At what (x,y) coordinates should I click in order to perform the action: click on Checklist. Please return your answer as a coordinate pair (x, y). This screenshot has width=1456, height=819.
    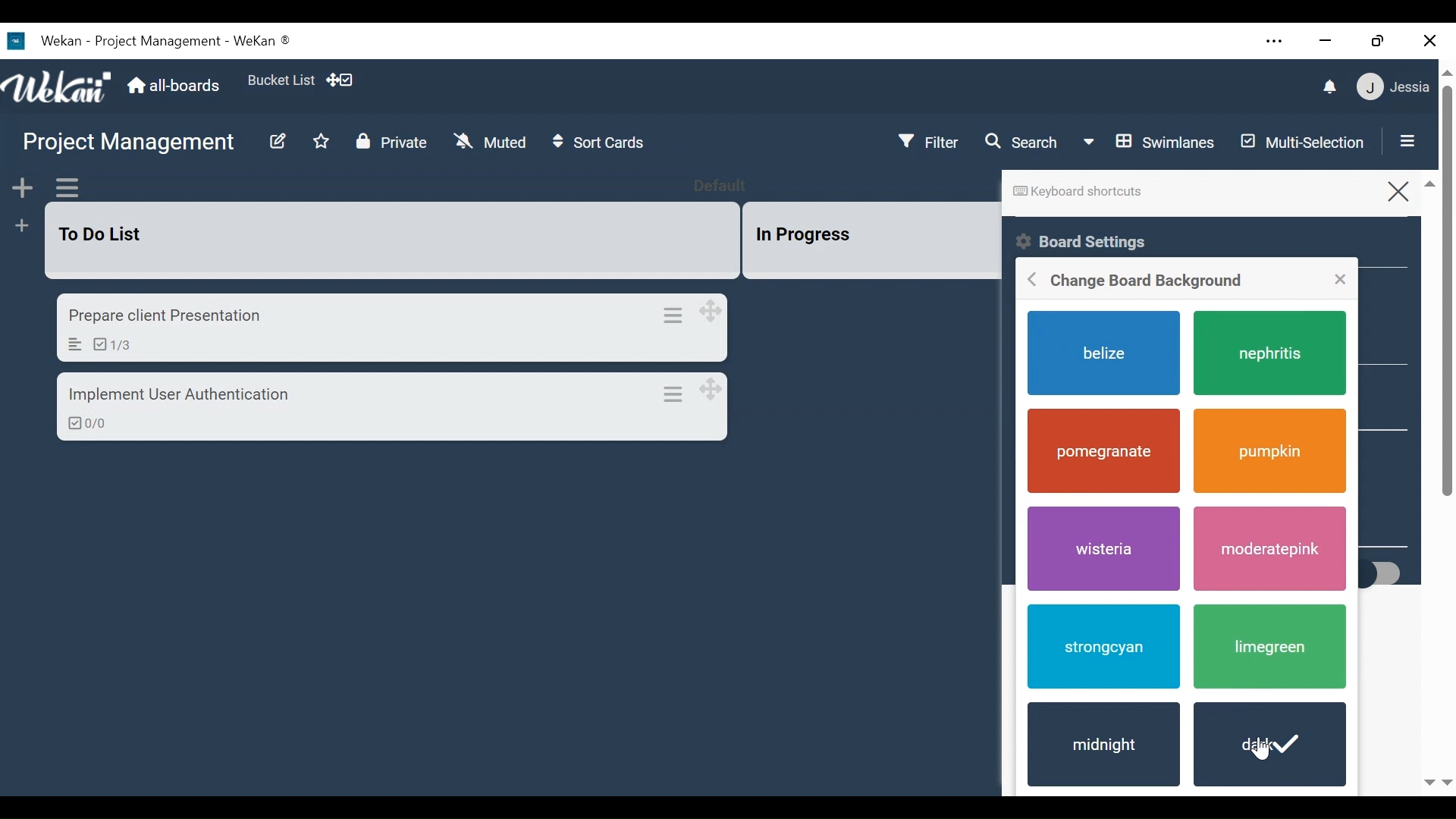
    Looking at the image, I should click on (83, 424).